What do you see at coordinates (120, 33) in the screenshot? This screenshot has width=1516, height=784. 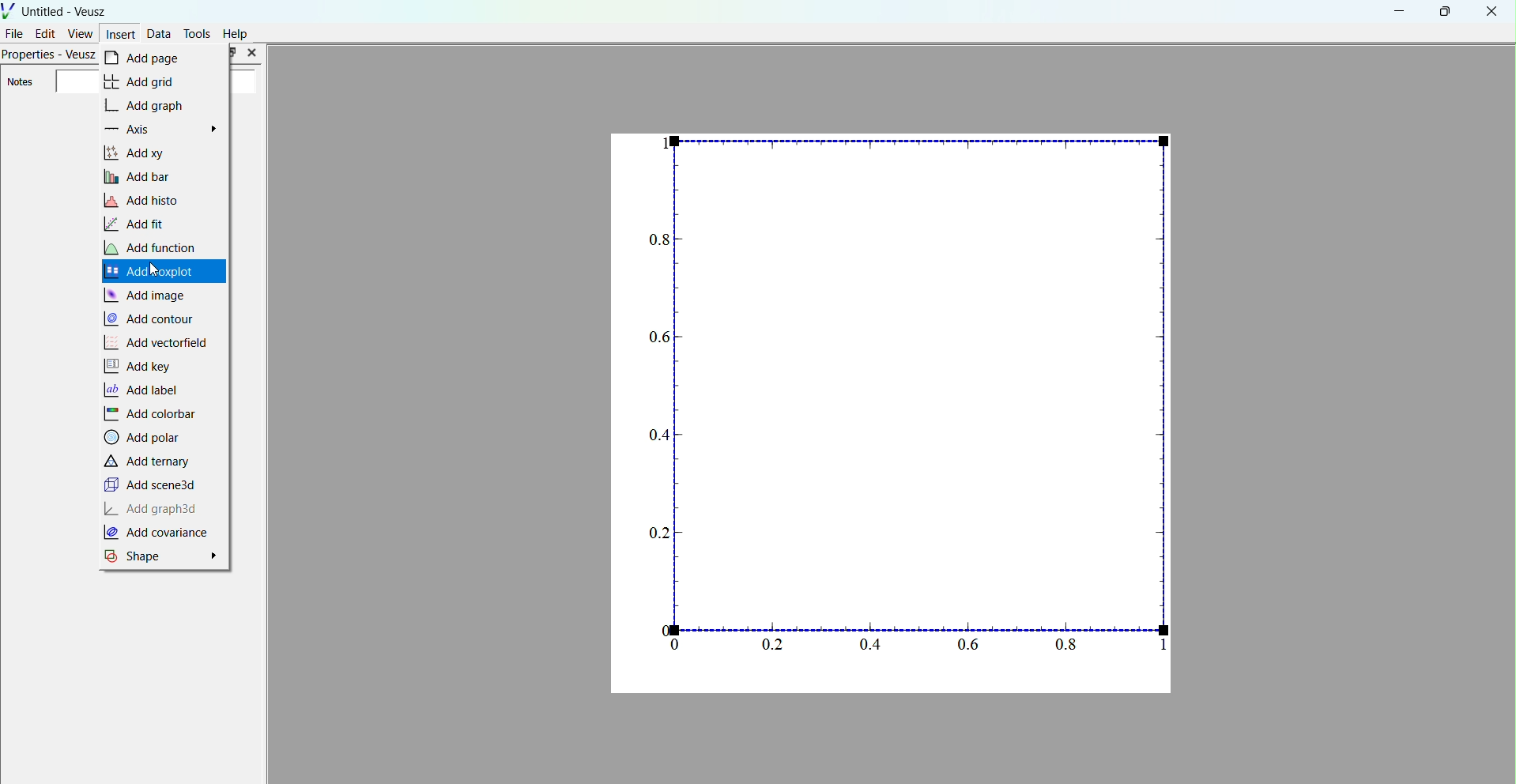 I see `Insert` at bounding box center [120, 33].